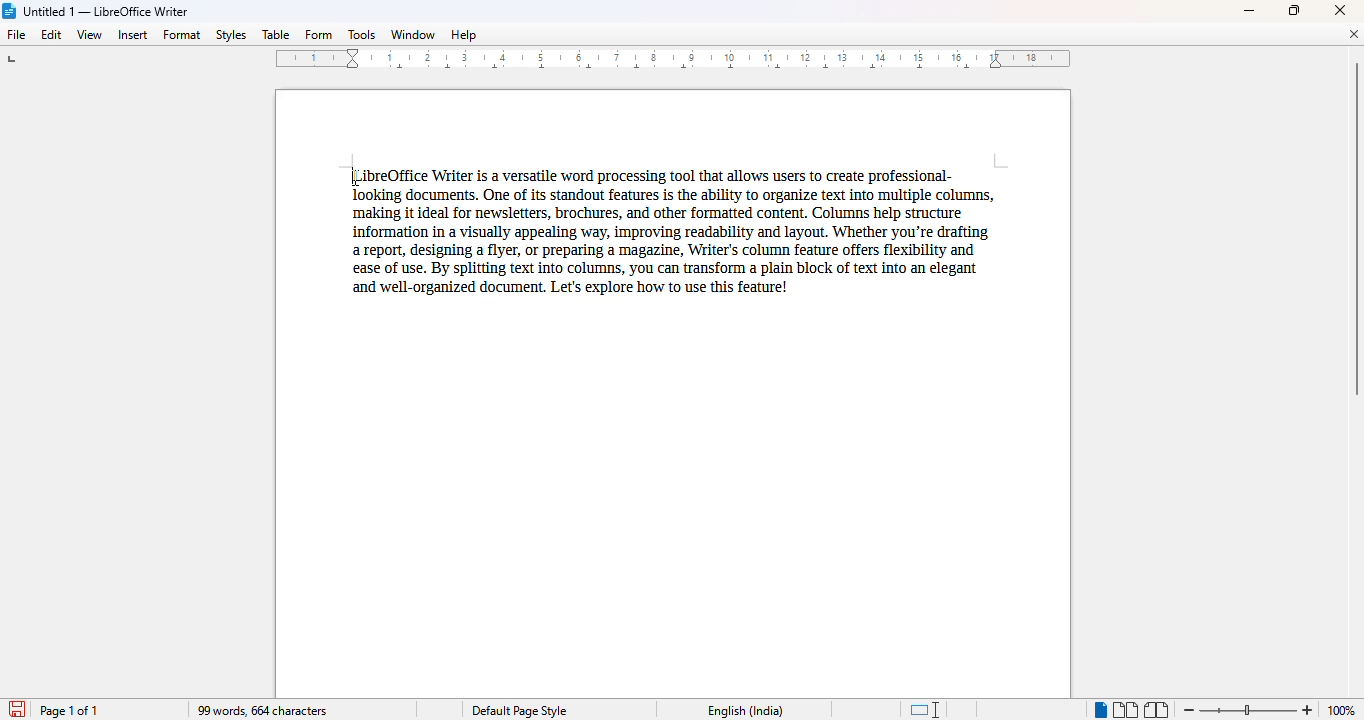 This screenshot has width=1364, height=720. I want to click on cursor, so click(350, 177).